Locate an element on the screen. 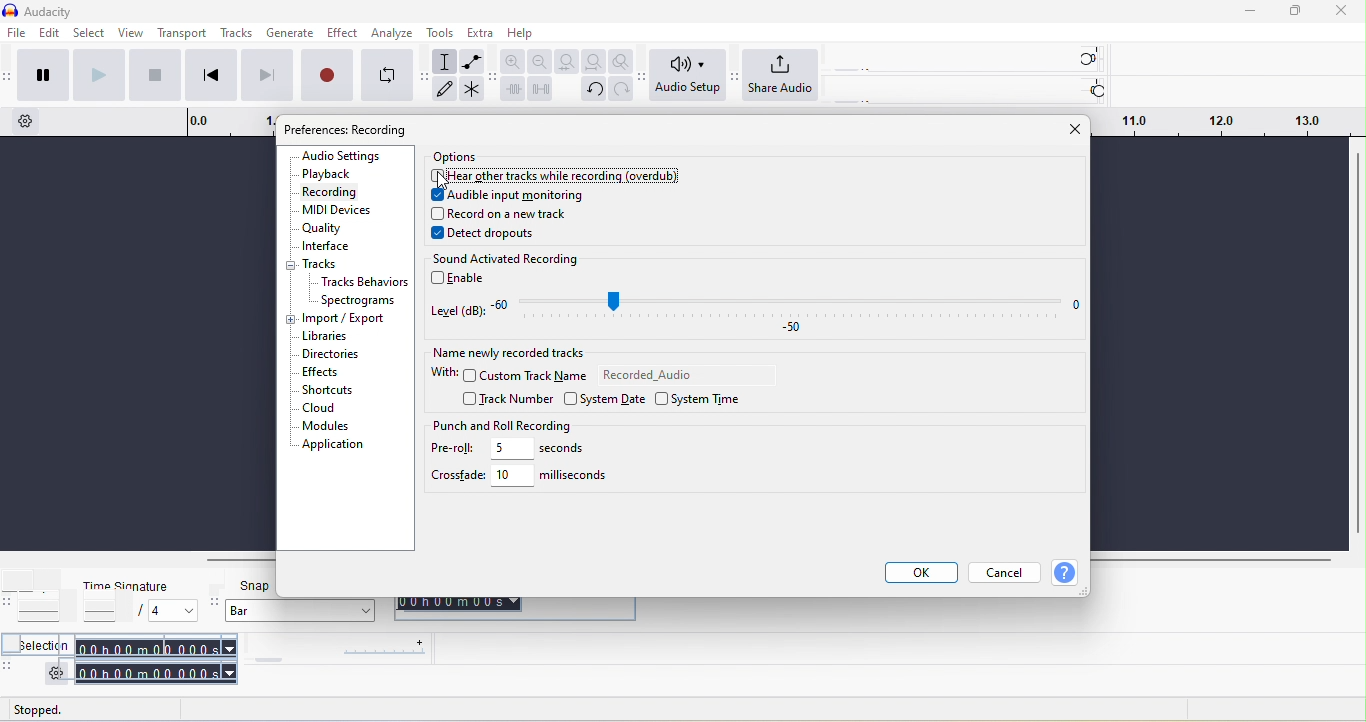  effects is located at coordinates (343, 373).